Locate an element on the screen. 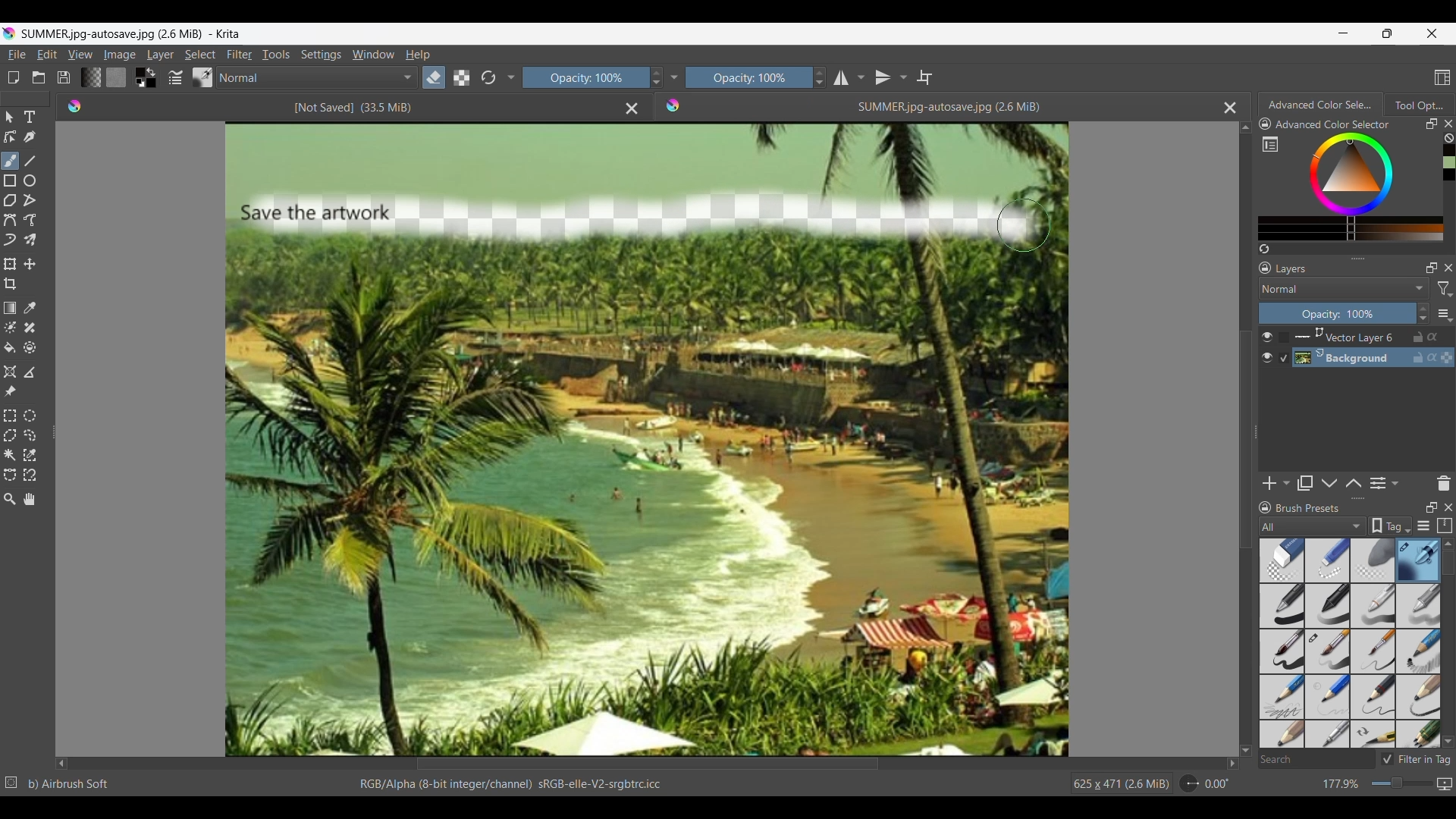 This screenshot has width=1456, height=819. Duplicate layer or mask is located at coordinates (1304, 483).